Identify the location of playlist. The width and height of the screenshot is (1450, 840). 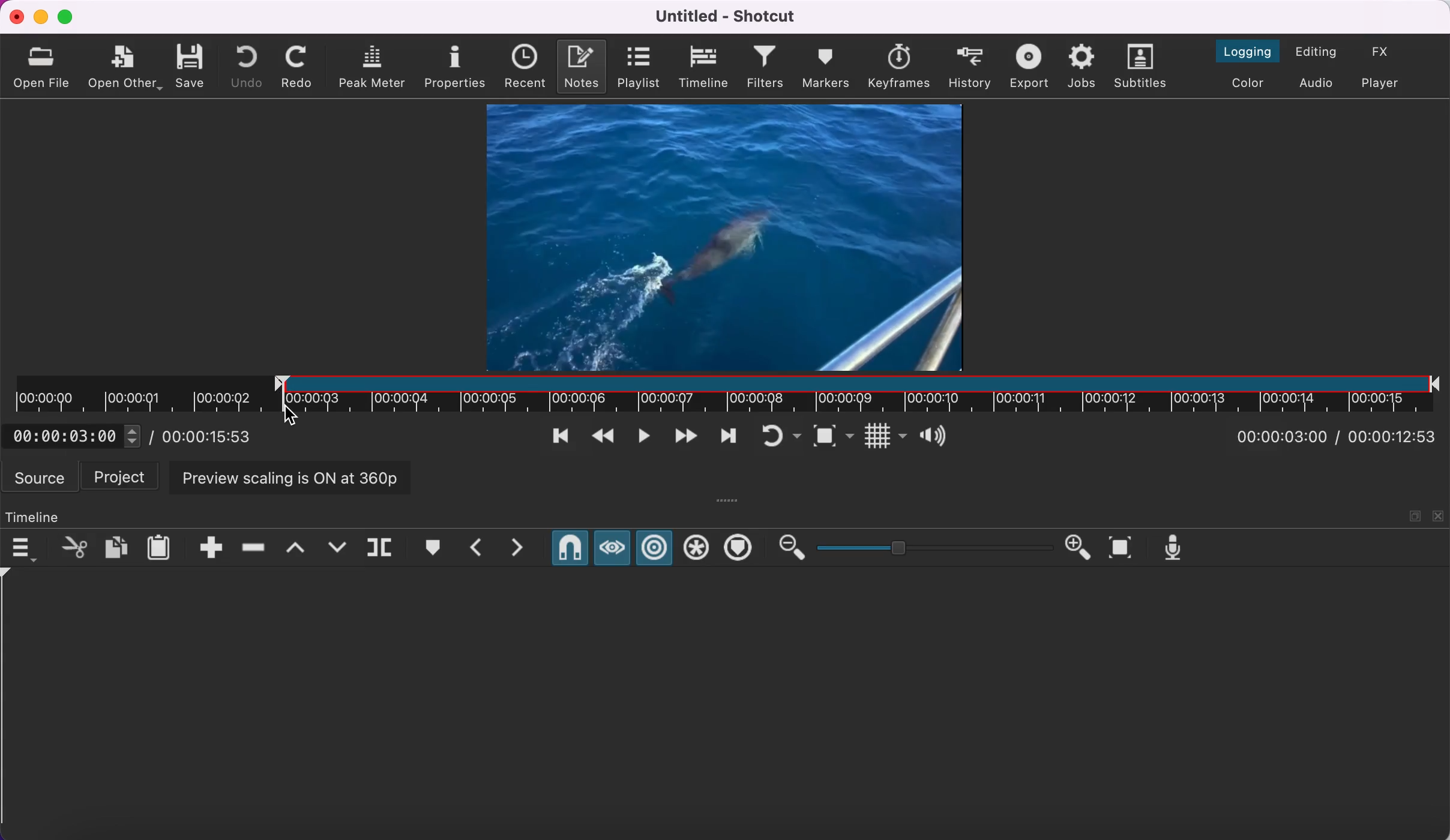
(640, 68).